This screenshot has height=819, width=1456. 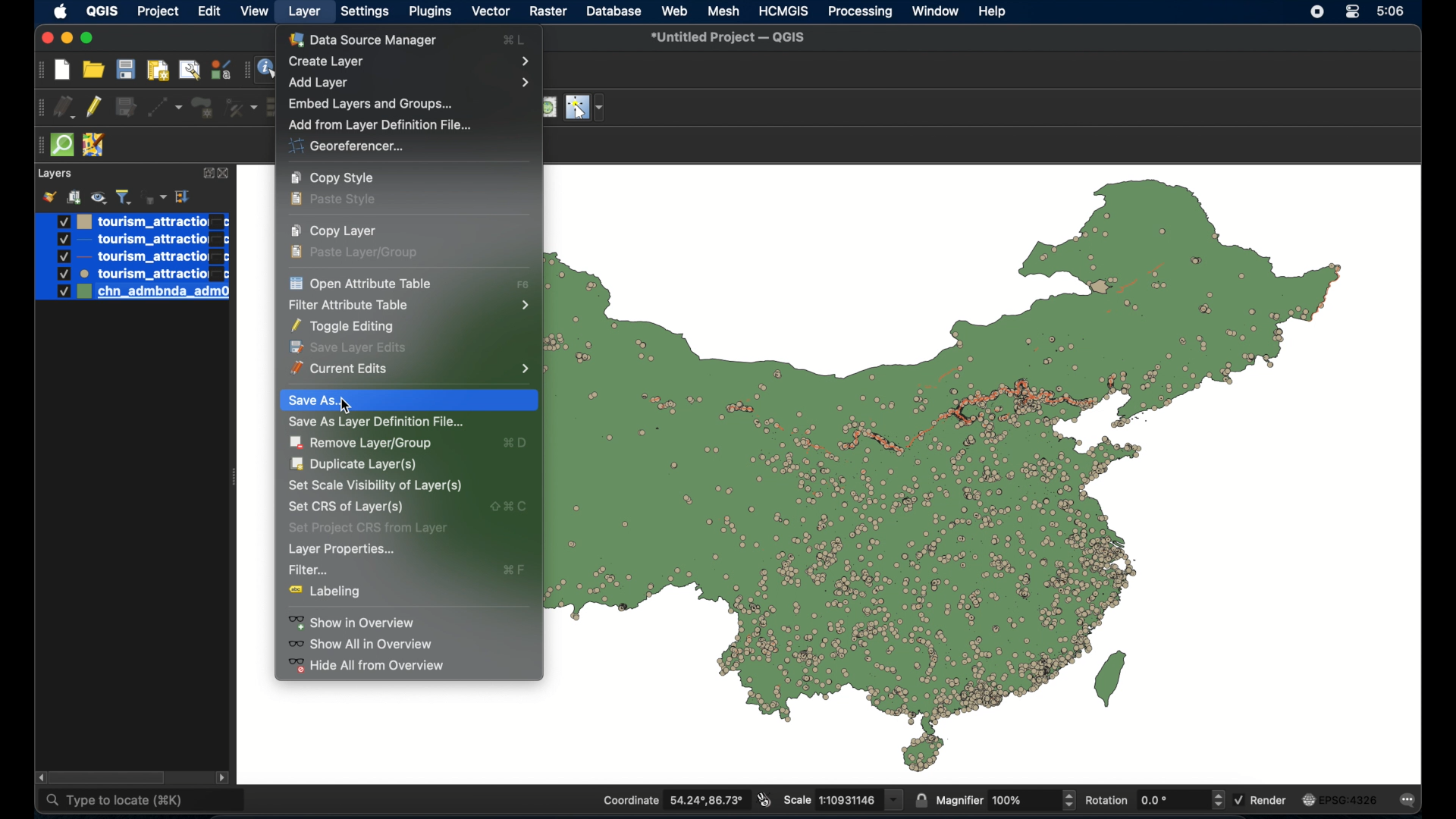 I want to click on switches mouse to a configurable pointer, so click(x=588, y=108).